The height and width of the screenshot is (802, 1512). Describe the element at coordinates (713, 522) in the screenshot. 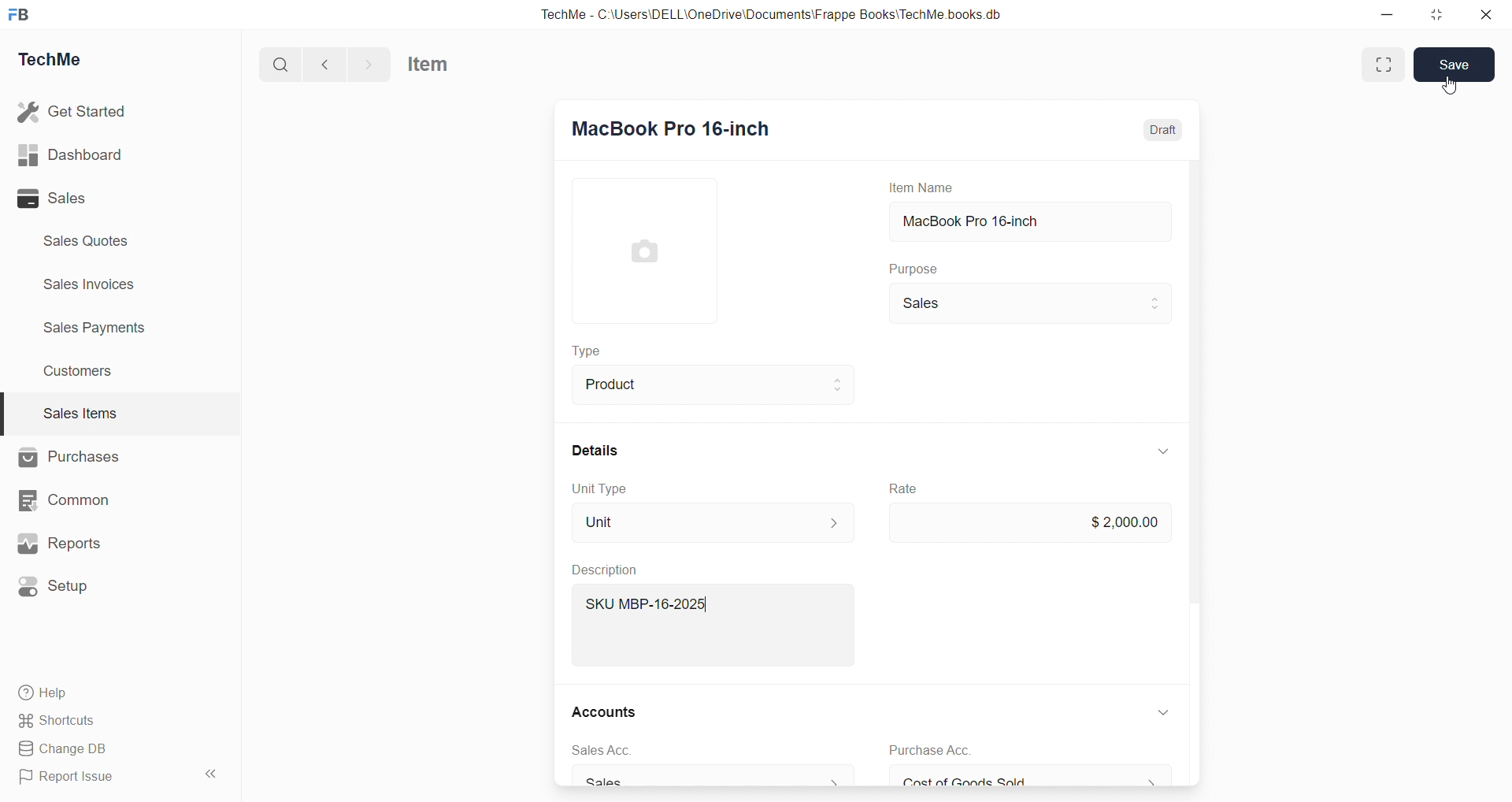

I see `Unit` at that location.